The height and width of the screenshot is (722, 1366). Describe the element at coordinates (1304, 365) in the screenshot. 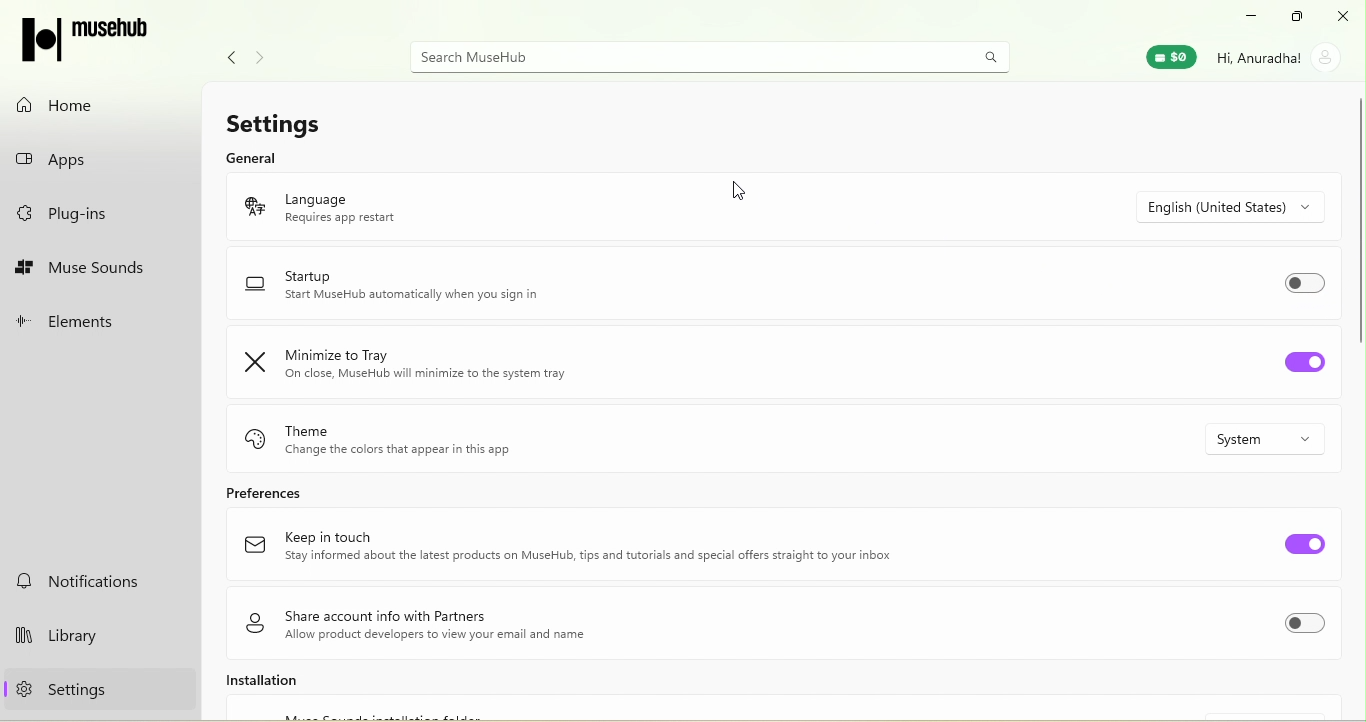

I see `Toggle` at that location.